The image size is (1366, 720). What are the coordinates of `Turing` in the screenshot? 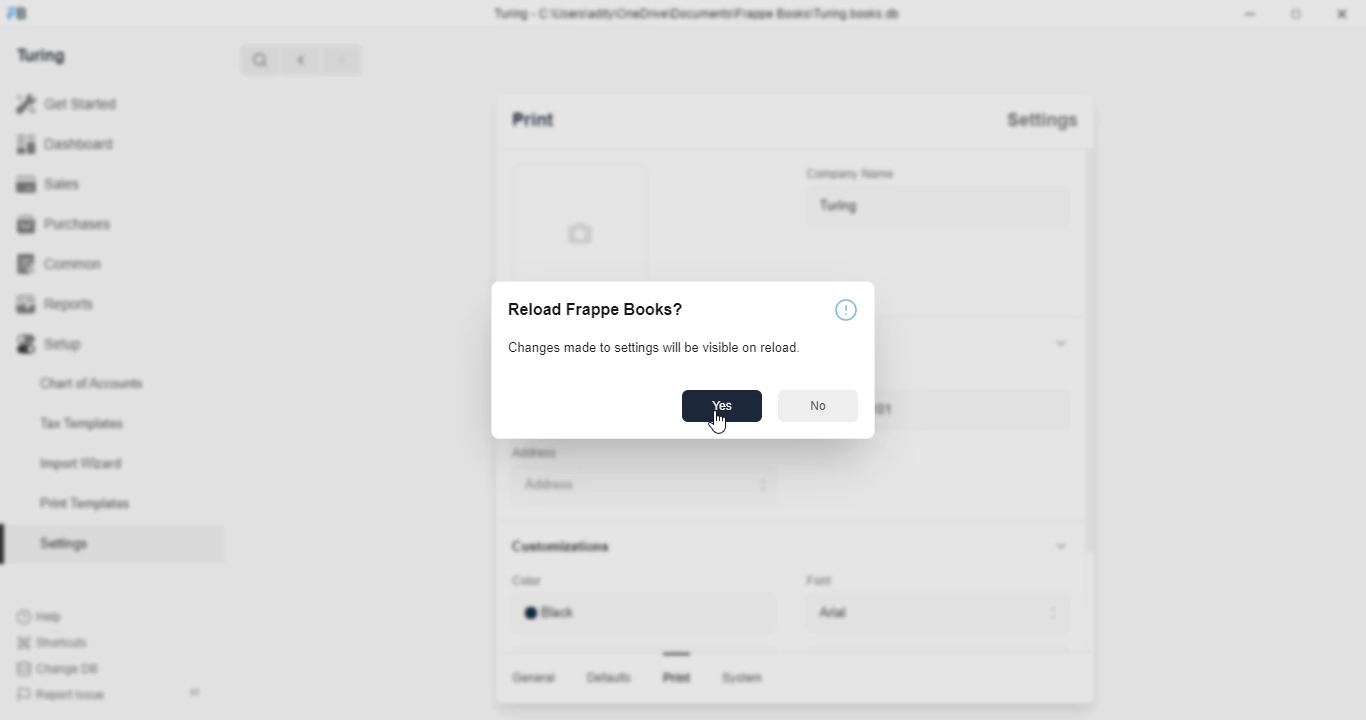 It's located at (47, 56).